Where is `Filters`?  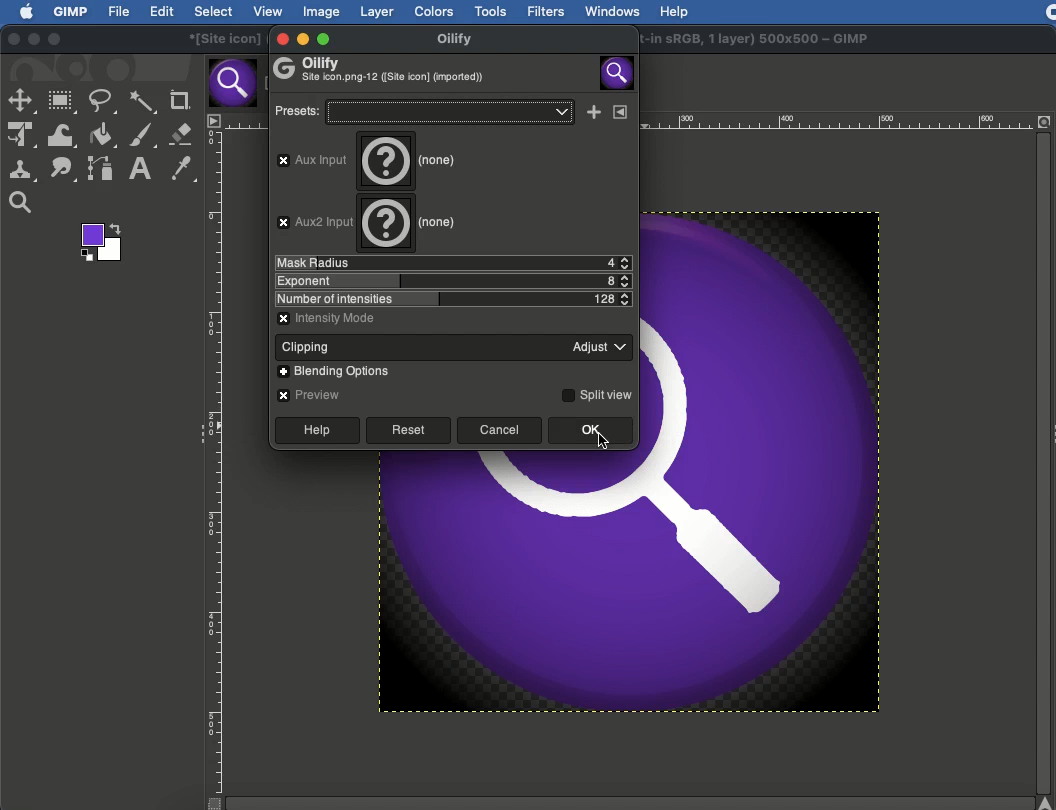
Filters is located at coordinates (547, 11).